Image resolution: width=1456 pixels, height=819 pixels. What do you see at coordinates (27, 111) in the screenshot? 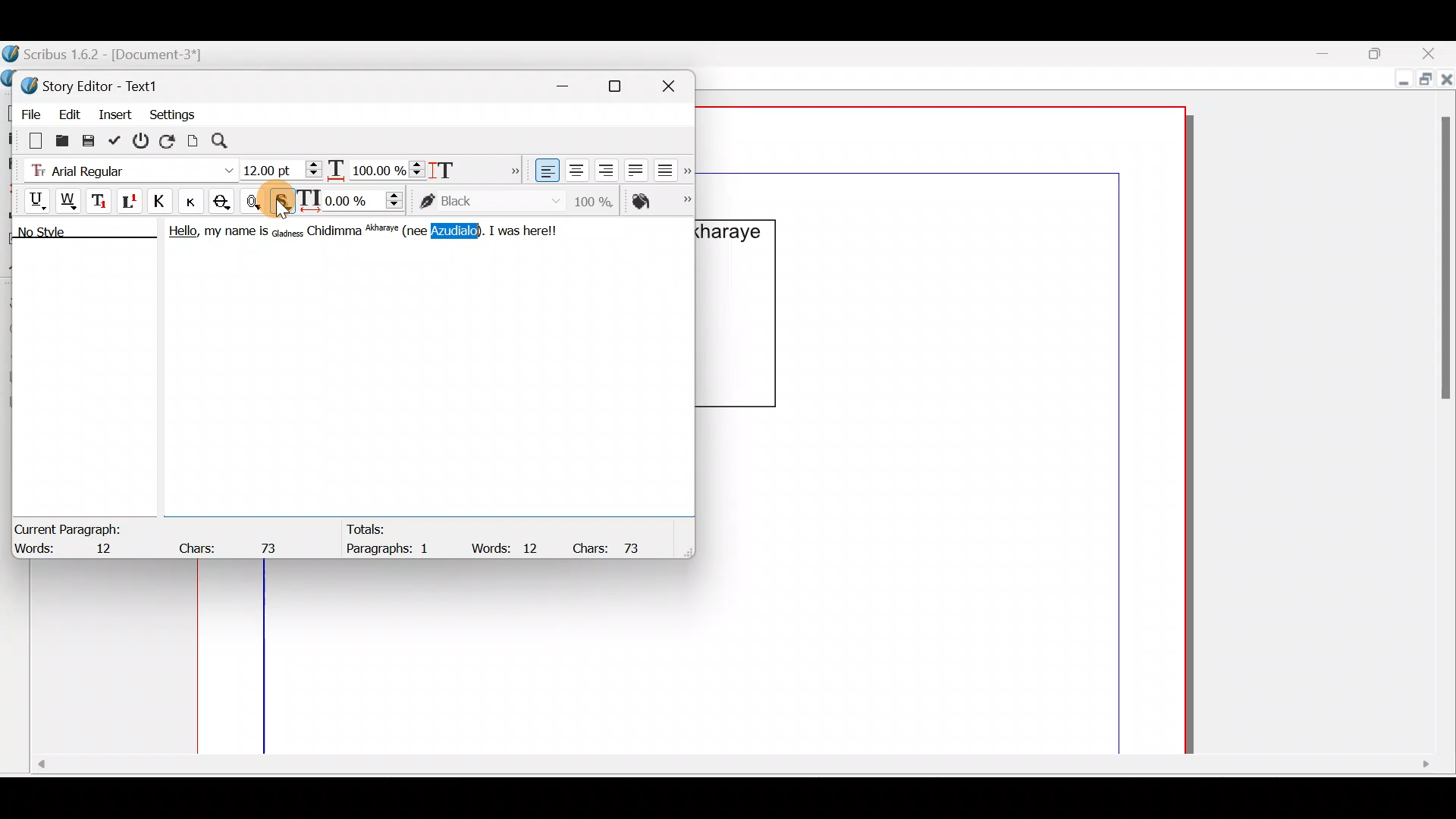
I see `File` at bounding box center [27, 111].